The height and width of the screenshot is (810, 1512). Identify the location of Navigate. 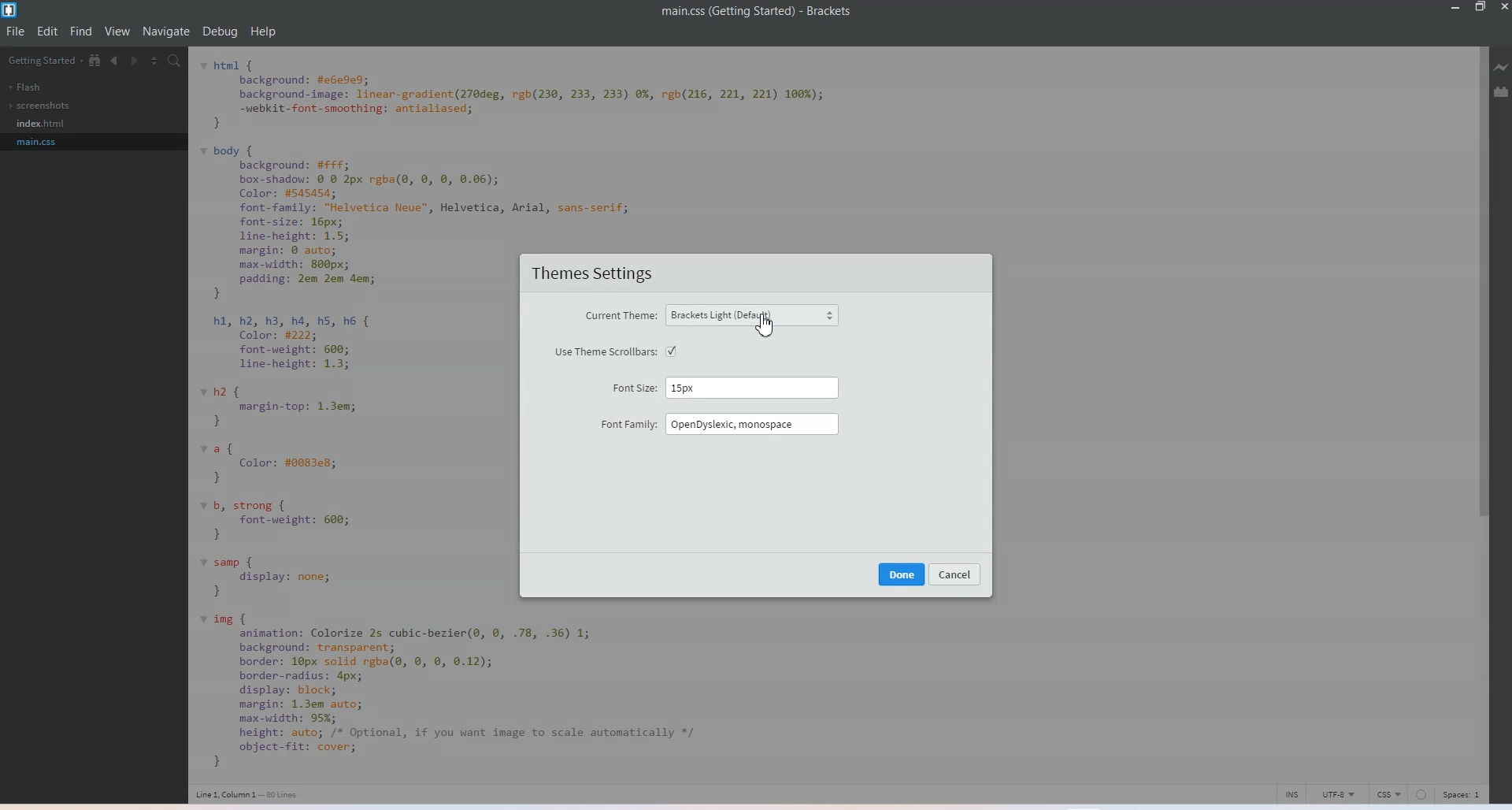
(168, 32).